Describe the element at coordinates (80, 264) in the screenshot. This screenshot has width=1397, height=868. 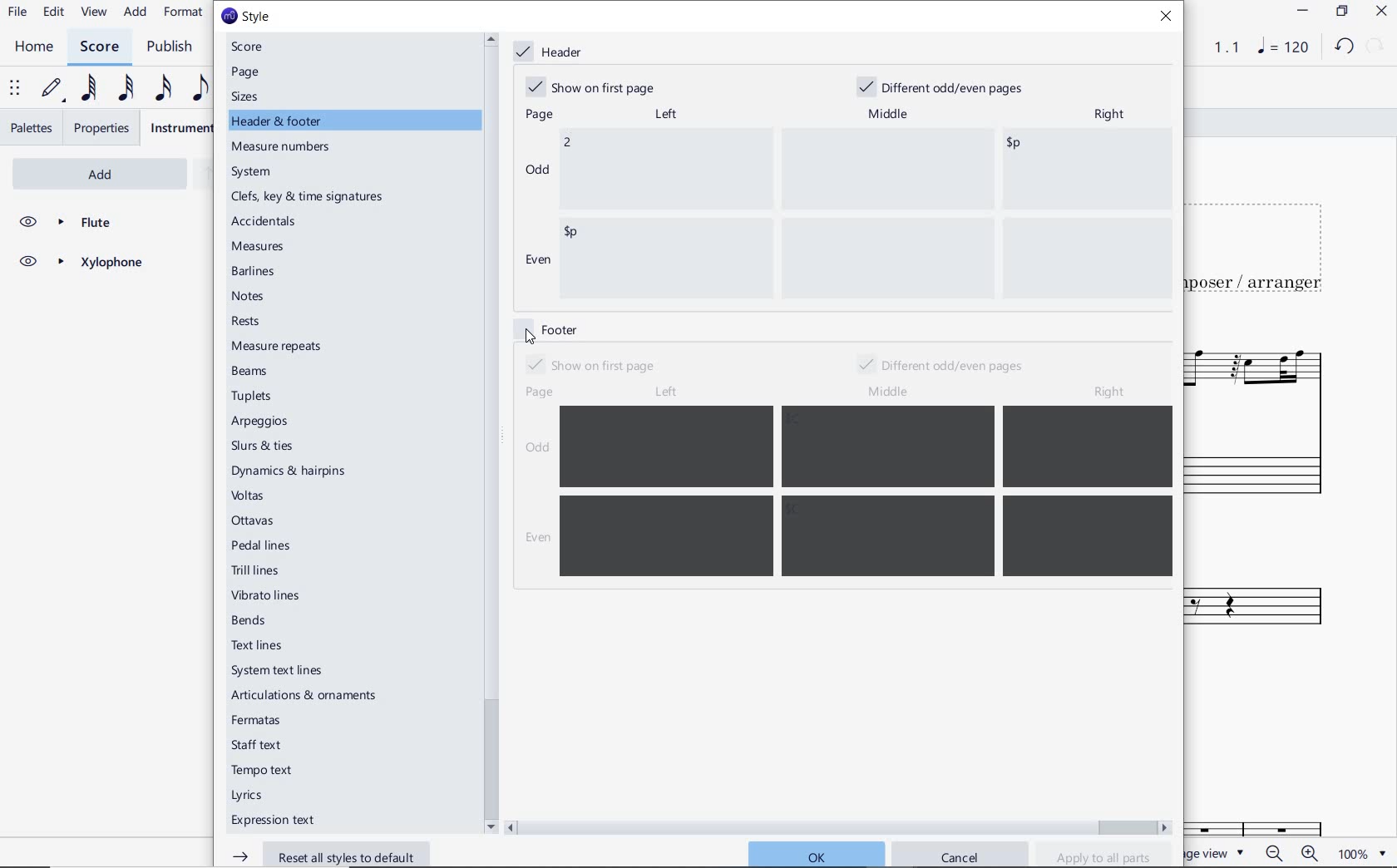
I see `XYLOPHONE` at that location.